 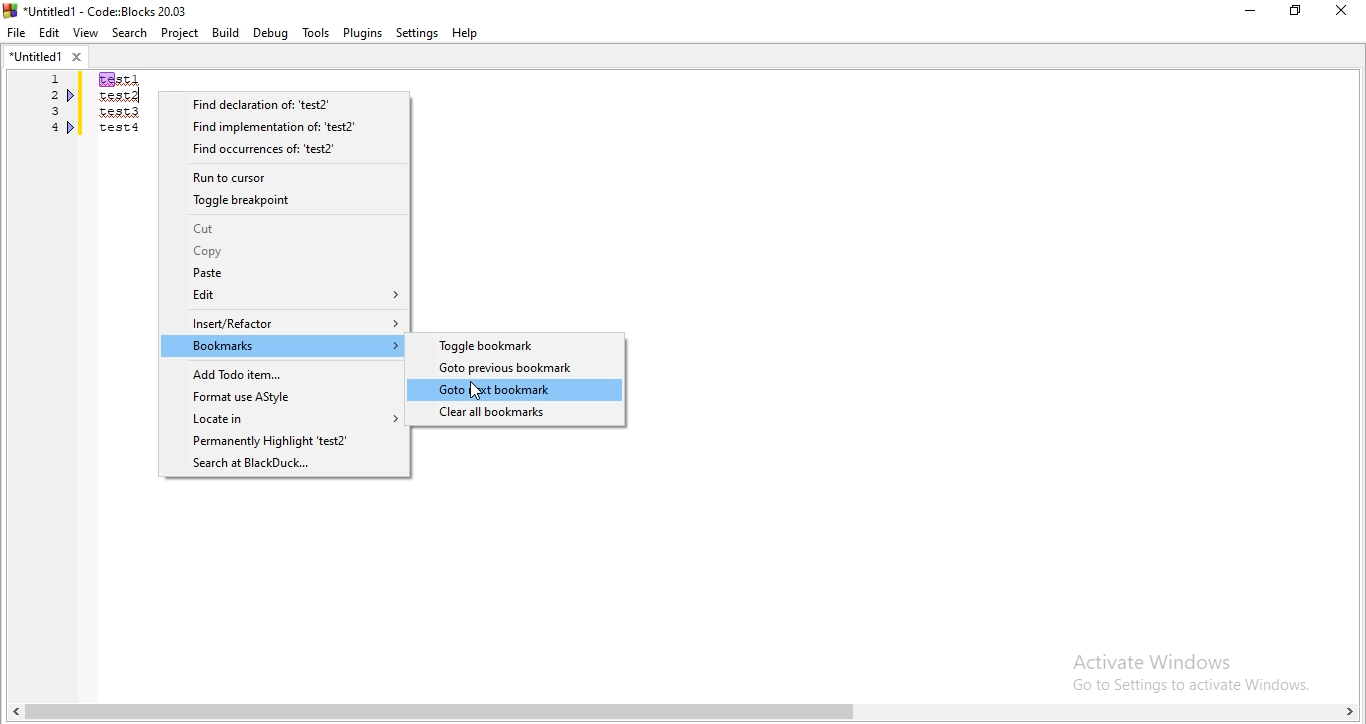 I want to click on Settings , so click(x=417, y=34).